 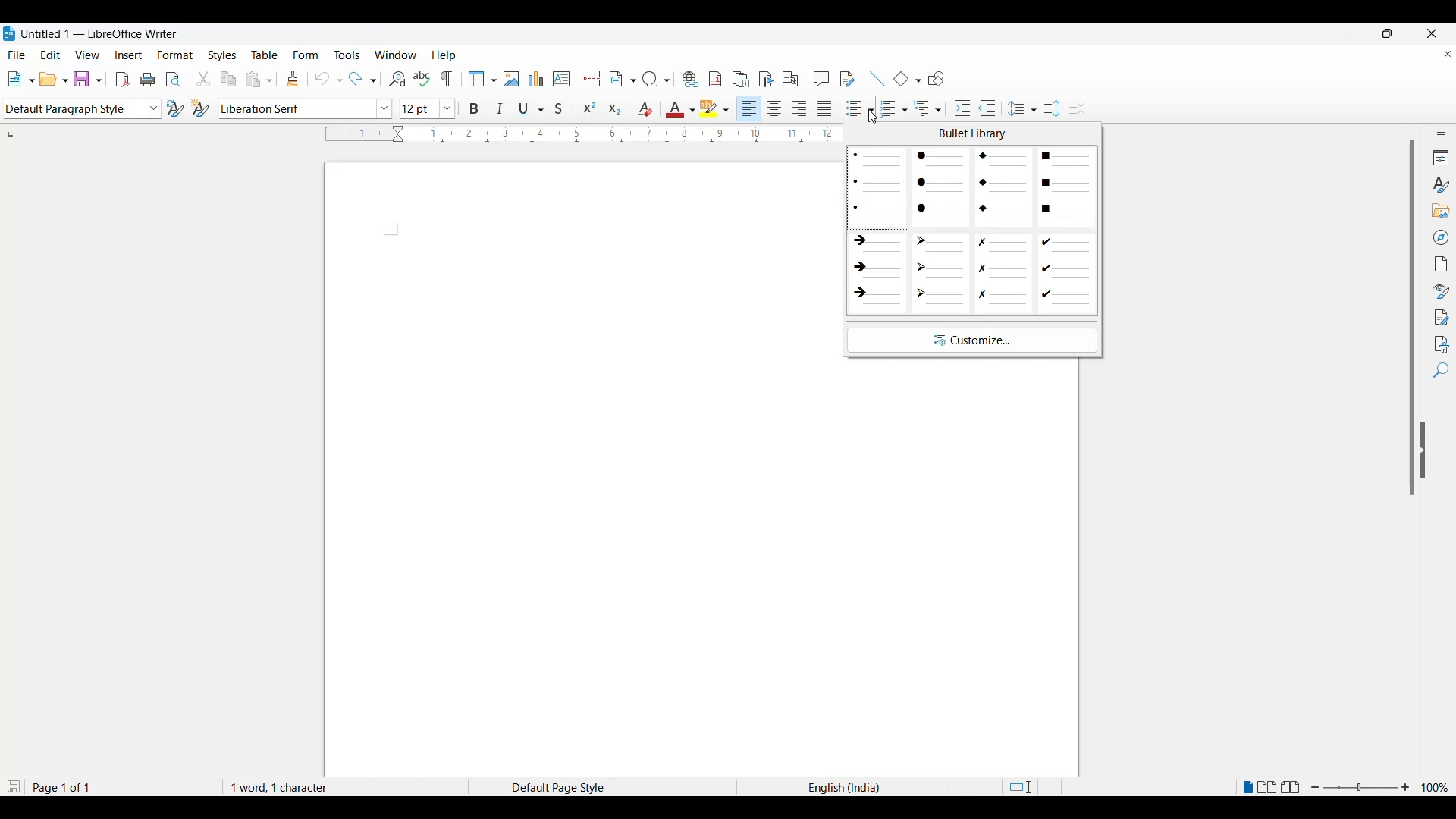 What do you see at coordinates (689, 78) in the screenshot?
I see `insert hyperlink` at bounding box center [689, 78].